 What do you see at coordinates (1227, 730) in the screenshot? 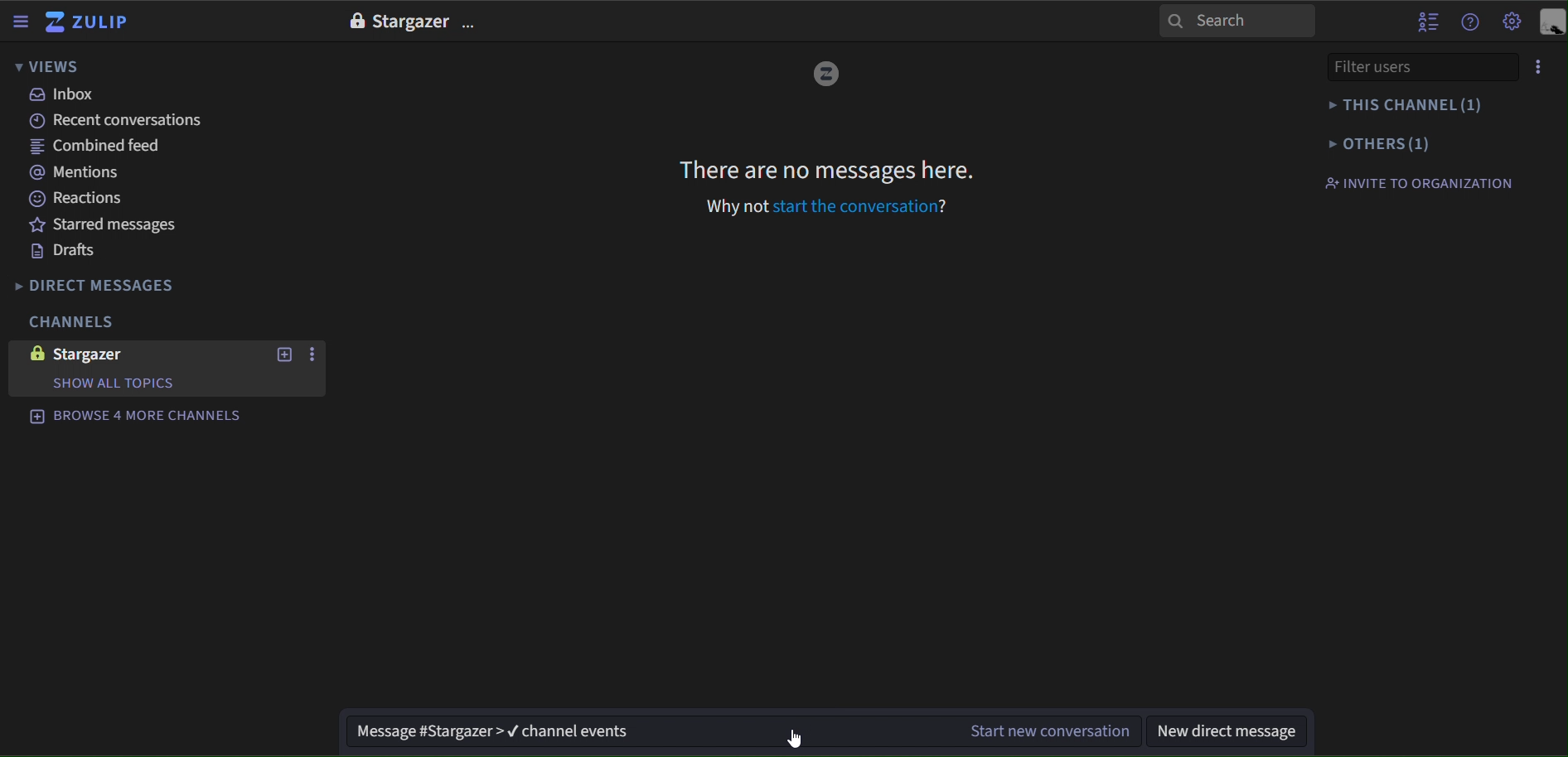
I see `New direct message` at bounding box center [1227, 730].